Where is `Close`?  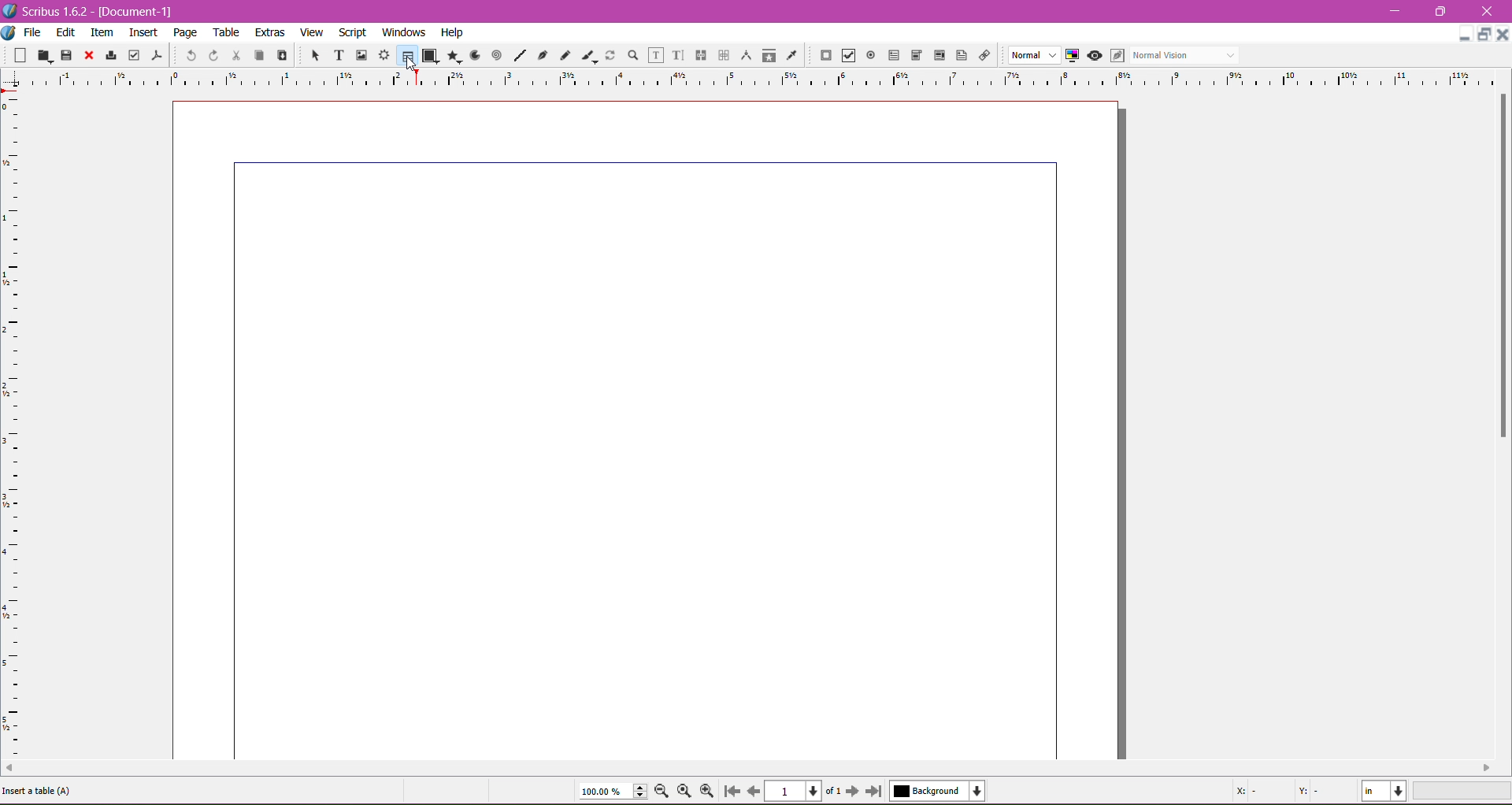 Close is located at coordinates (87, 56).